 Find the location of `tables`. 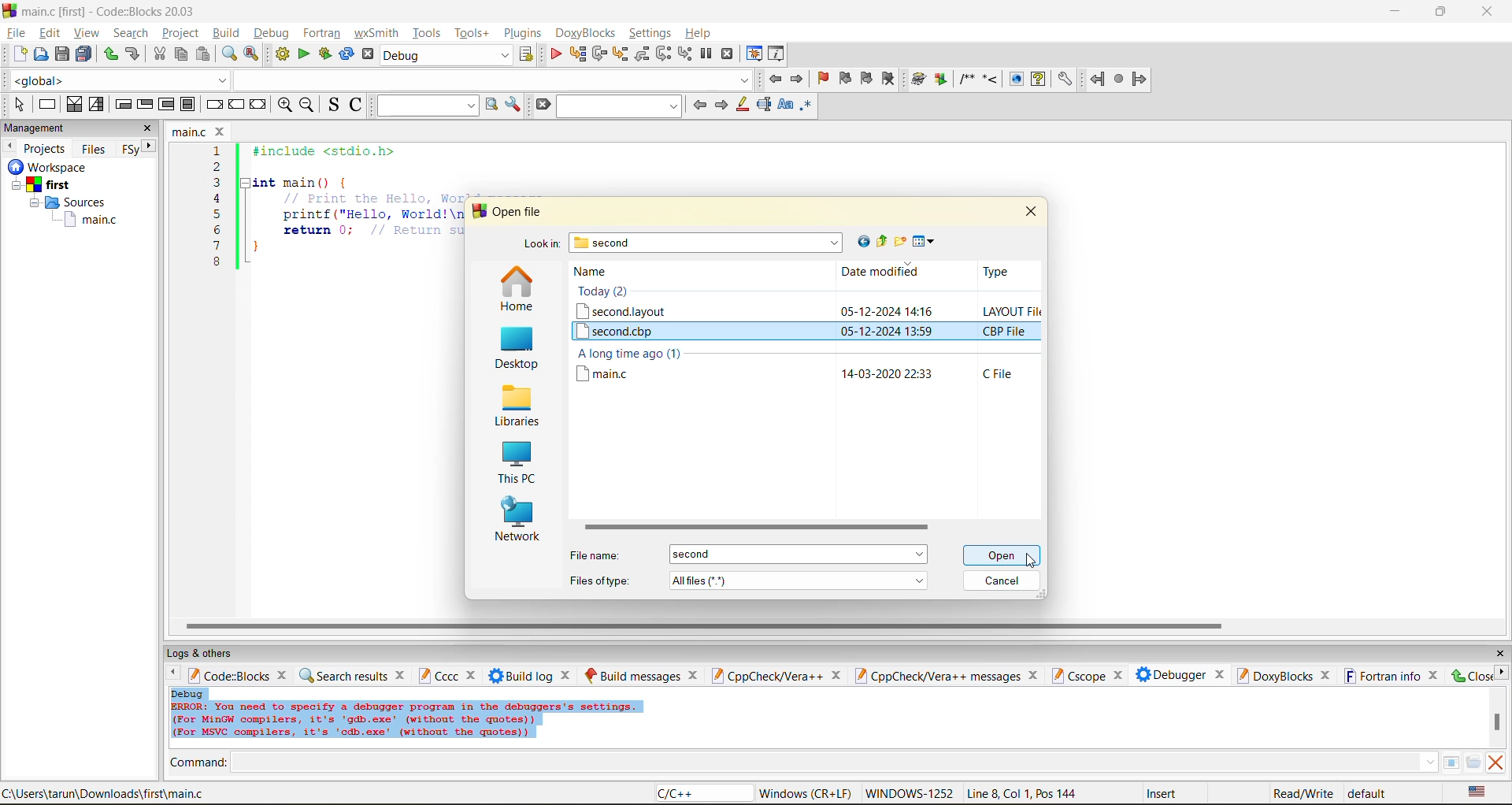

tables is located at coordinates (1451, 762).